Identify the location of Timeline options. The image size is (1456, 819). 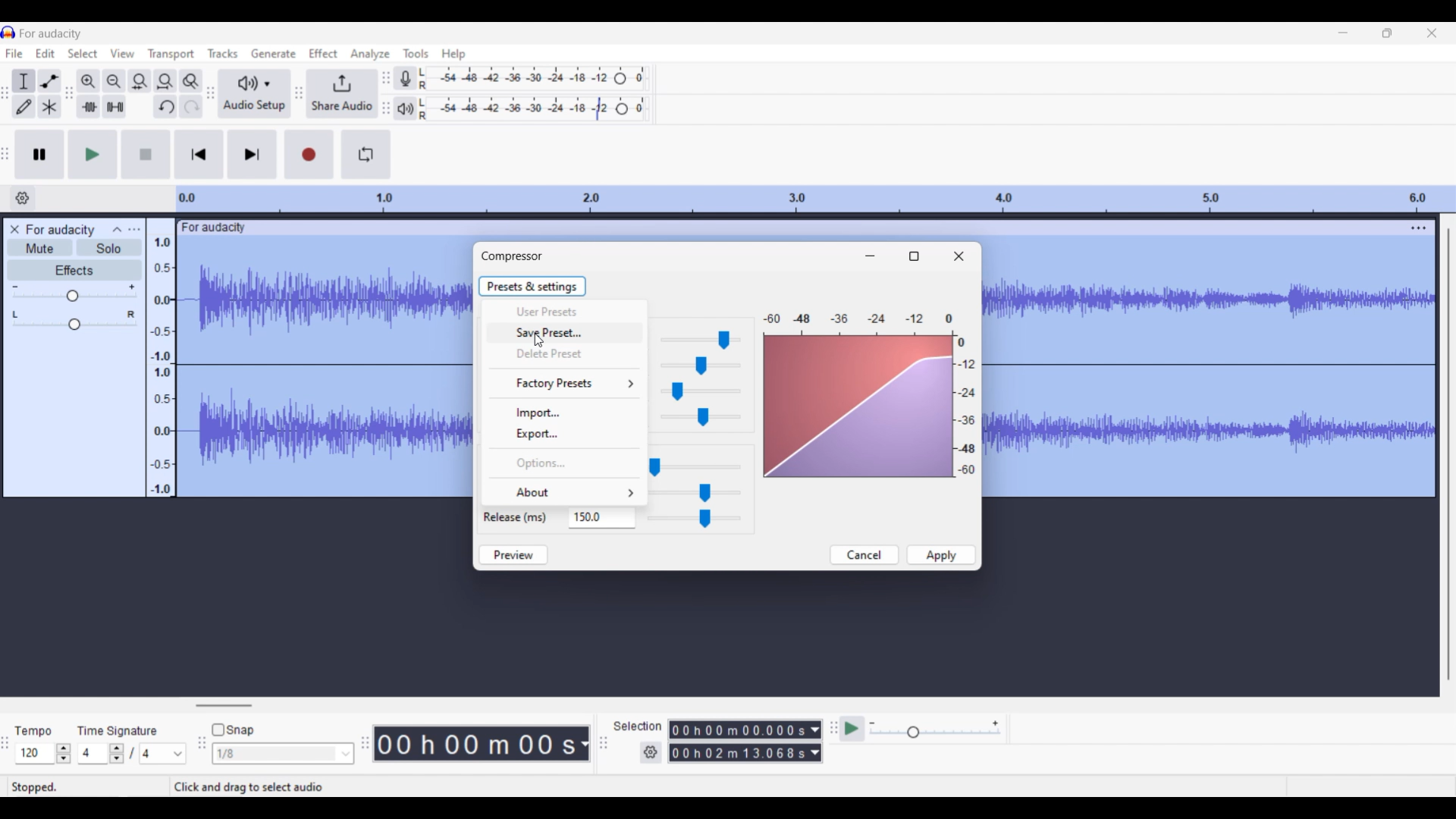
(22, 198).